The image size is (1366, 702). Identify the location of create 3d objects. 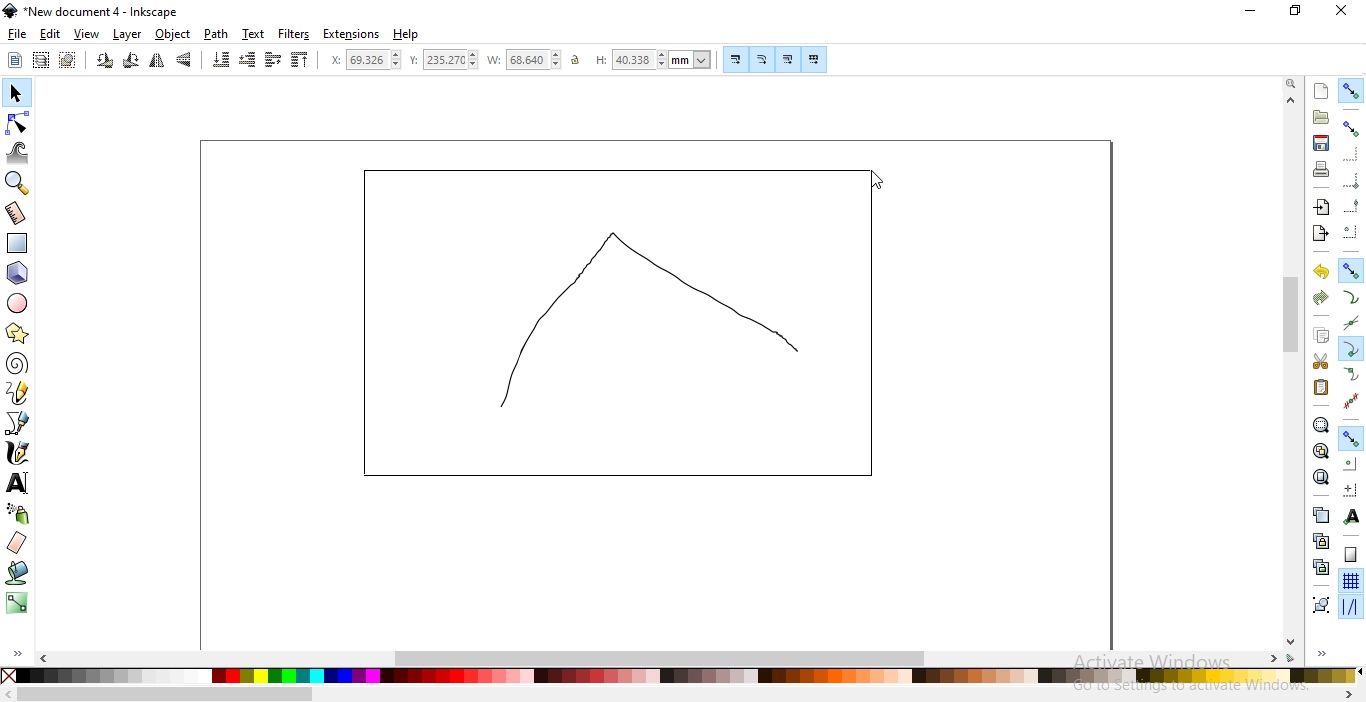
(18, 274).